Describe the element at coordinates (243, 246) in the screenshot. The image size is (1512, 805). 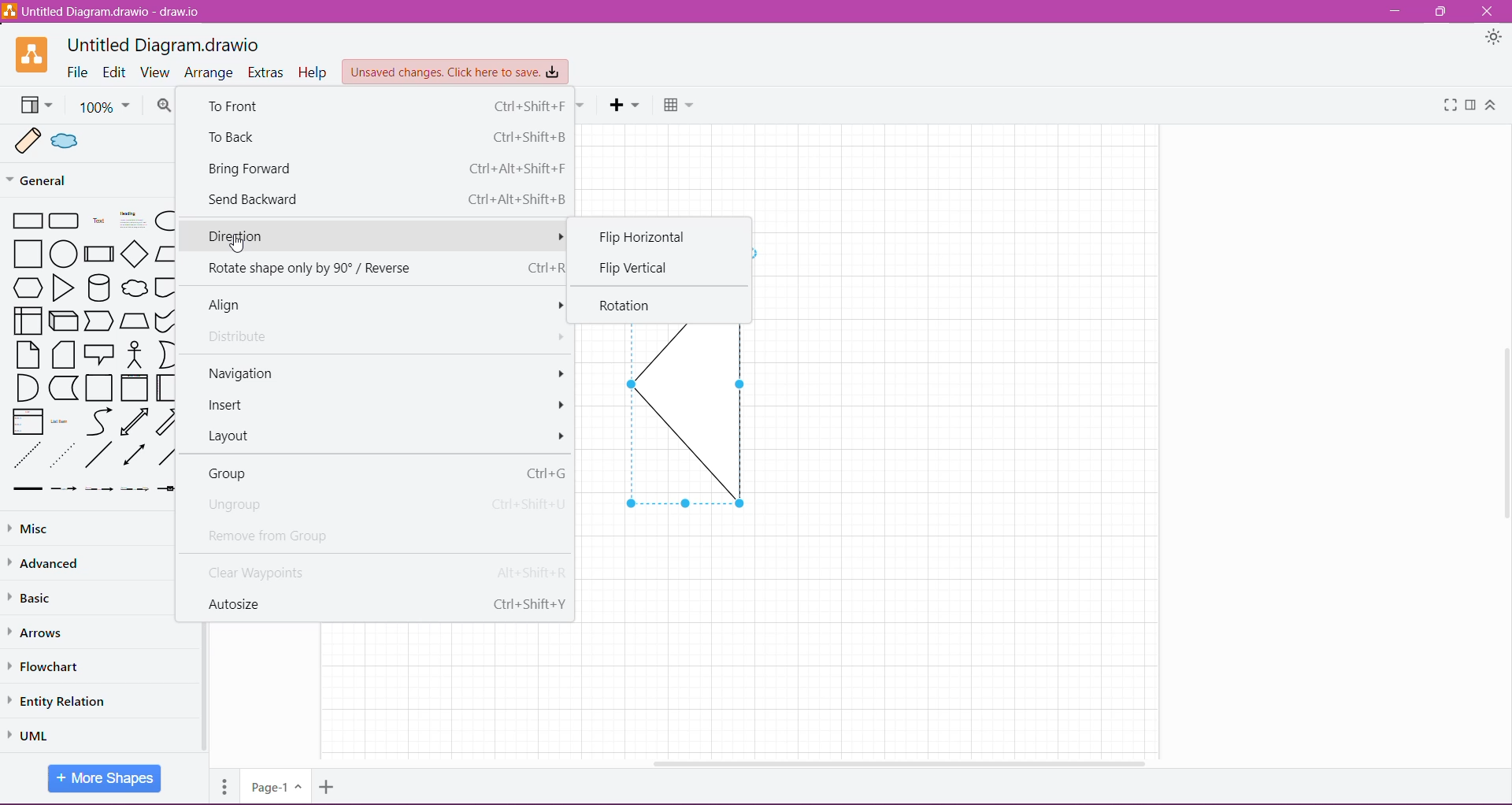
I see `Cursor hovering on direction` at that location.